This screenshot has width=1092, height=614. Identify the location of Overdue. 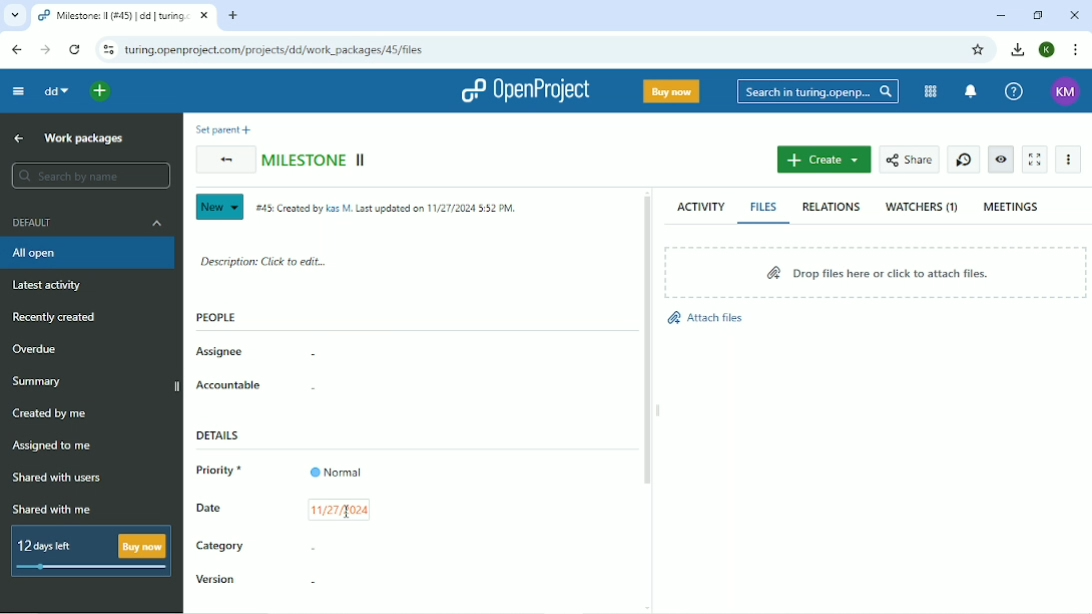
(38, 349).